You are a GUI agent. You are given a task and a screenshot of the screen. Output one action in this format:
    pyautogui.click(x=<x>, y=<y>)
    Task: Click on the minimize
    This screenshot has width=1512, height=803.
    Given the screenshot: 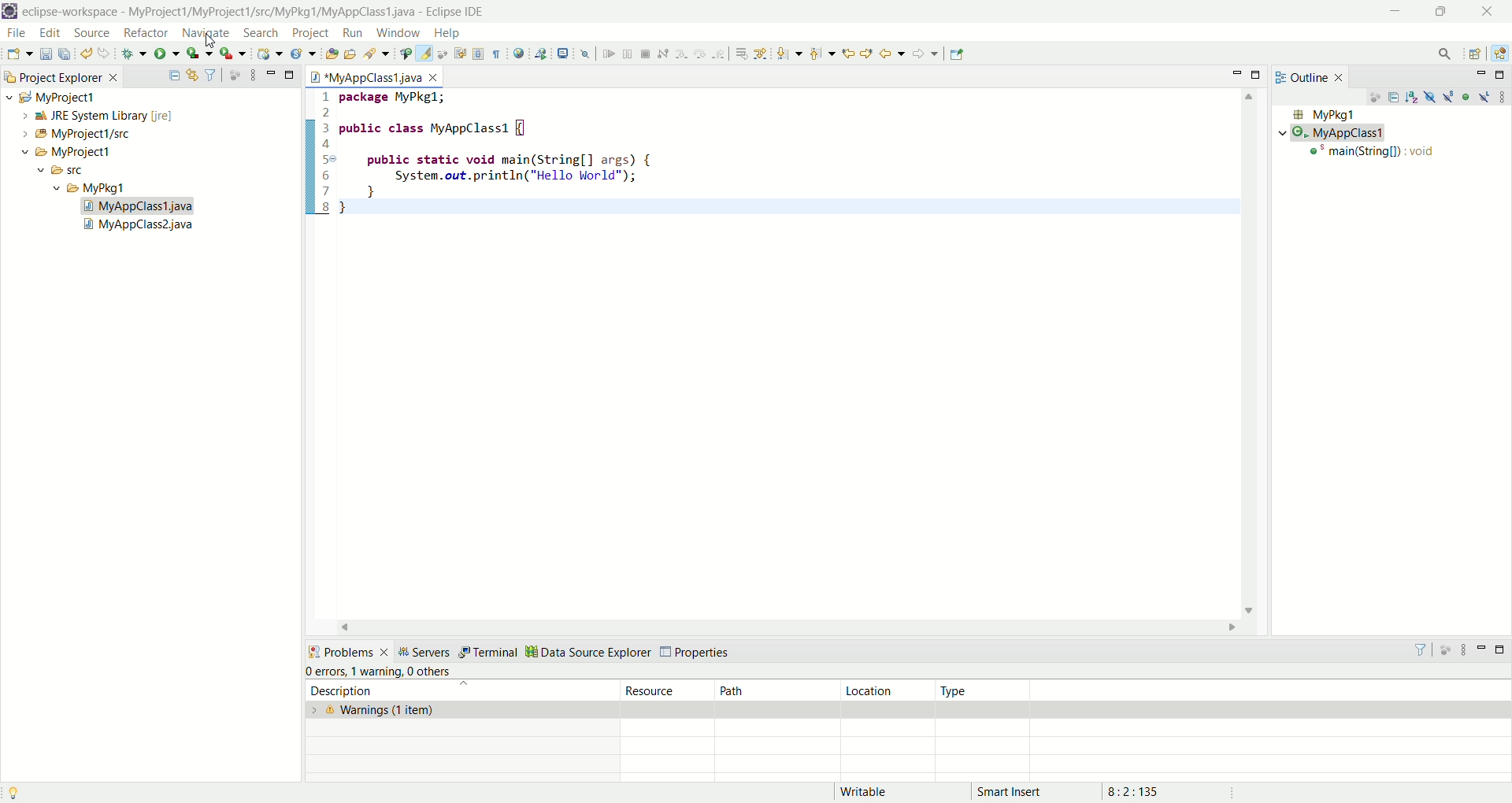 What is the action you would take?
    pyautogui.click(x=1395, y=10)
    